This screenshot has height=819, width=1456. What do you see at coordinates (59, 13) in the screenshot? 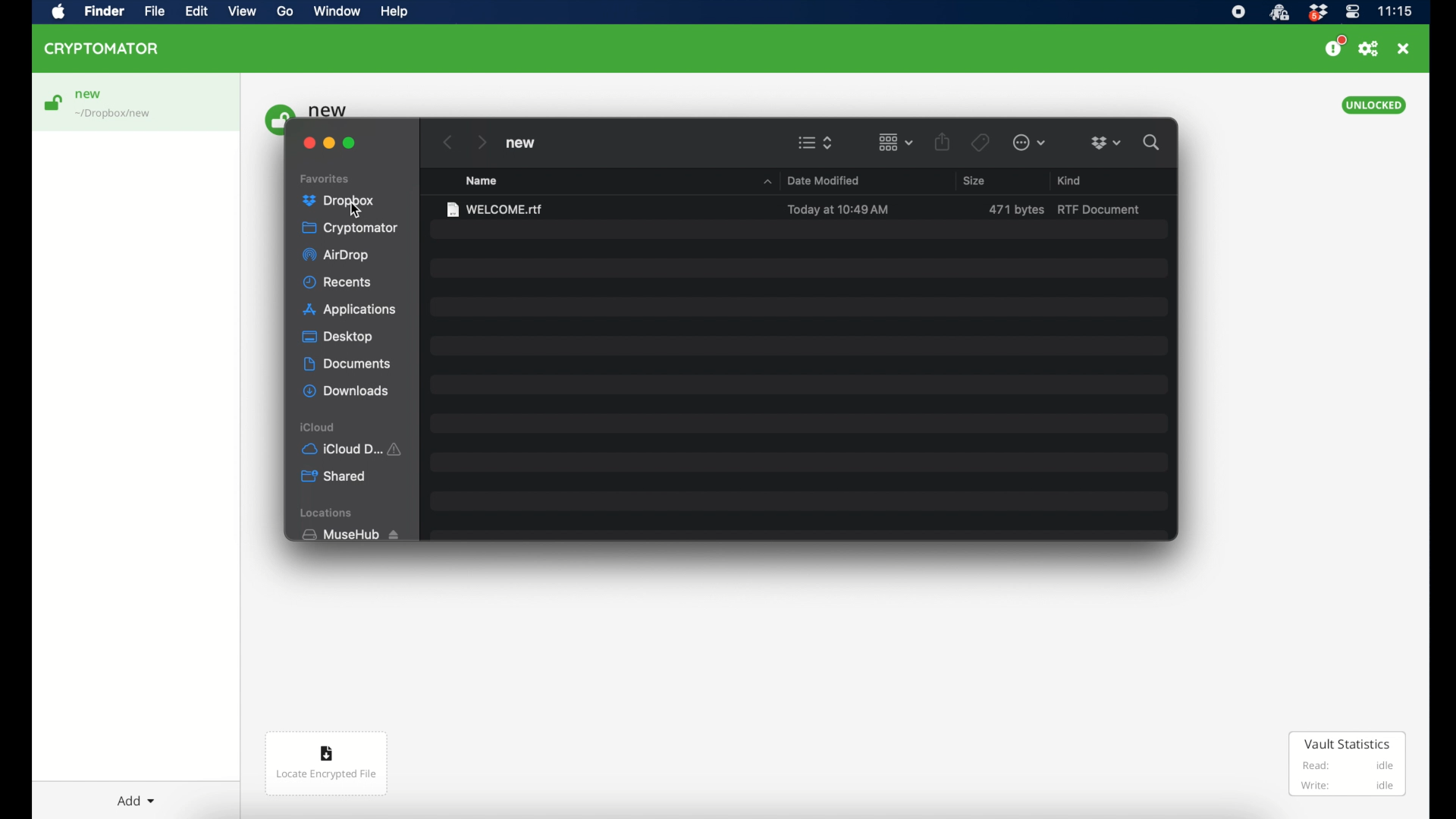
I see `apple icon` at bounding box center [59, 13].